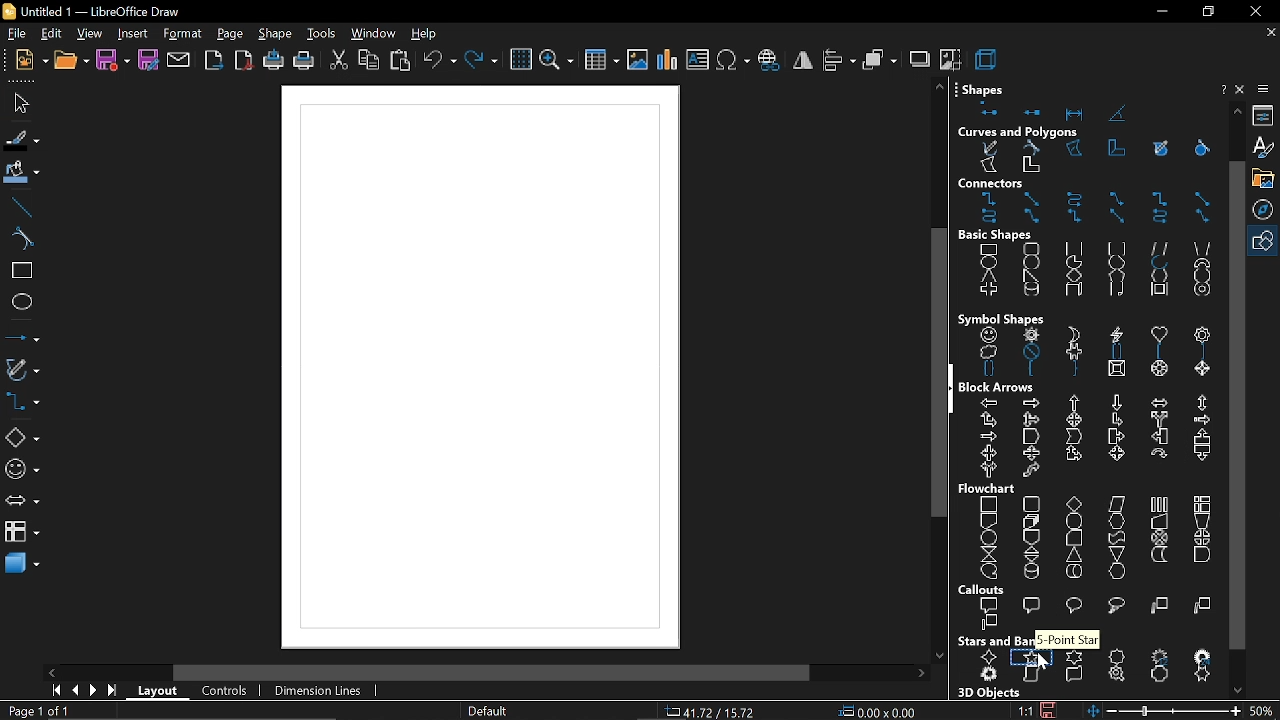  I want to click on window, so click(374, 35).